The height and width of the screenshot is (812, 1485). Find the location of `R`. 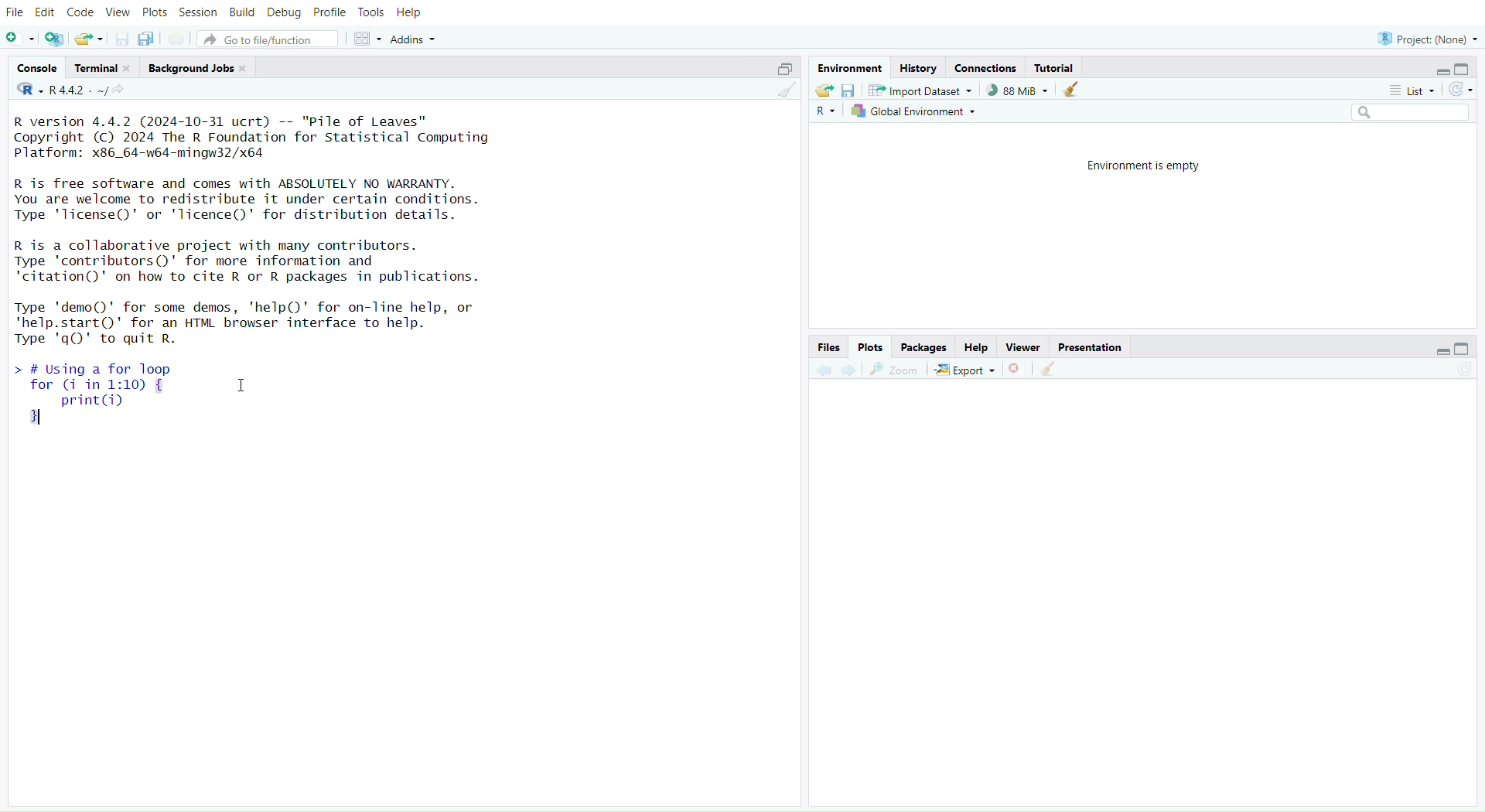

R is located at coordinates (824, 113).